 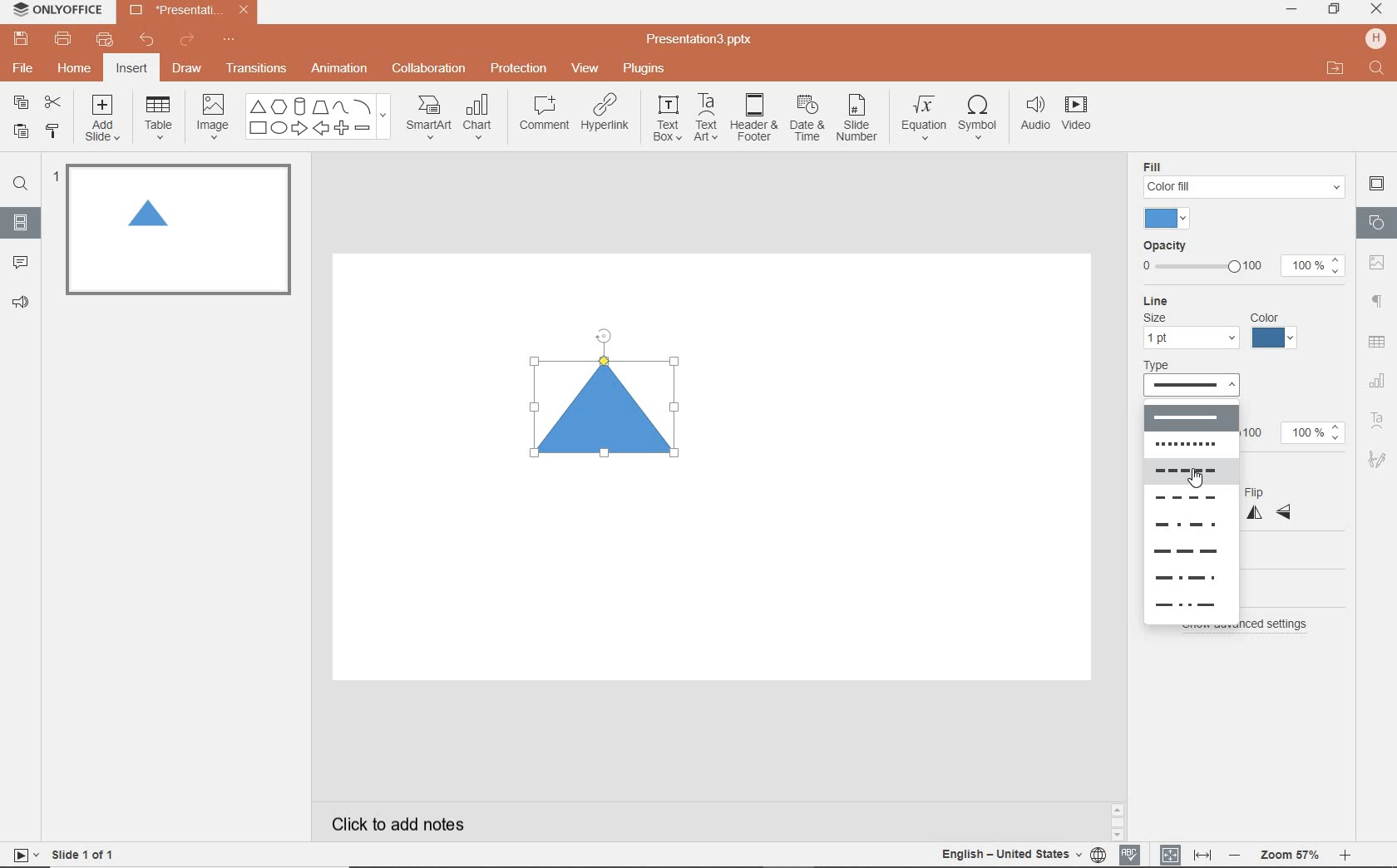 I want to click on COPY STYLE, so click(x=54, y=131).